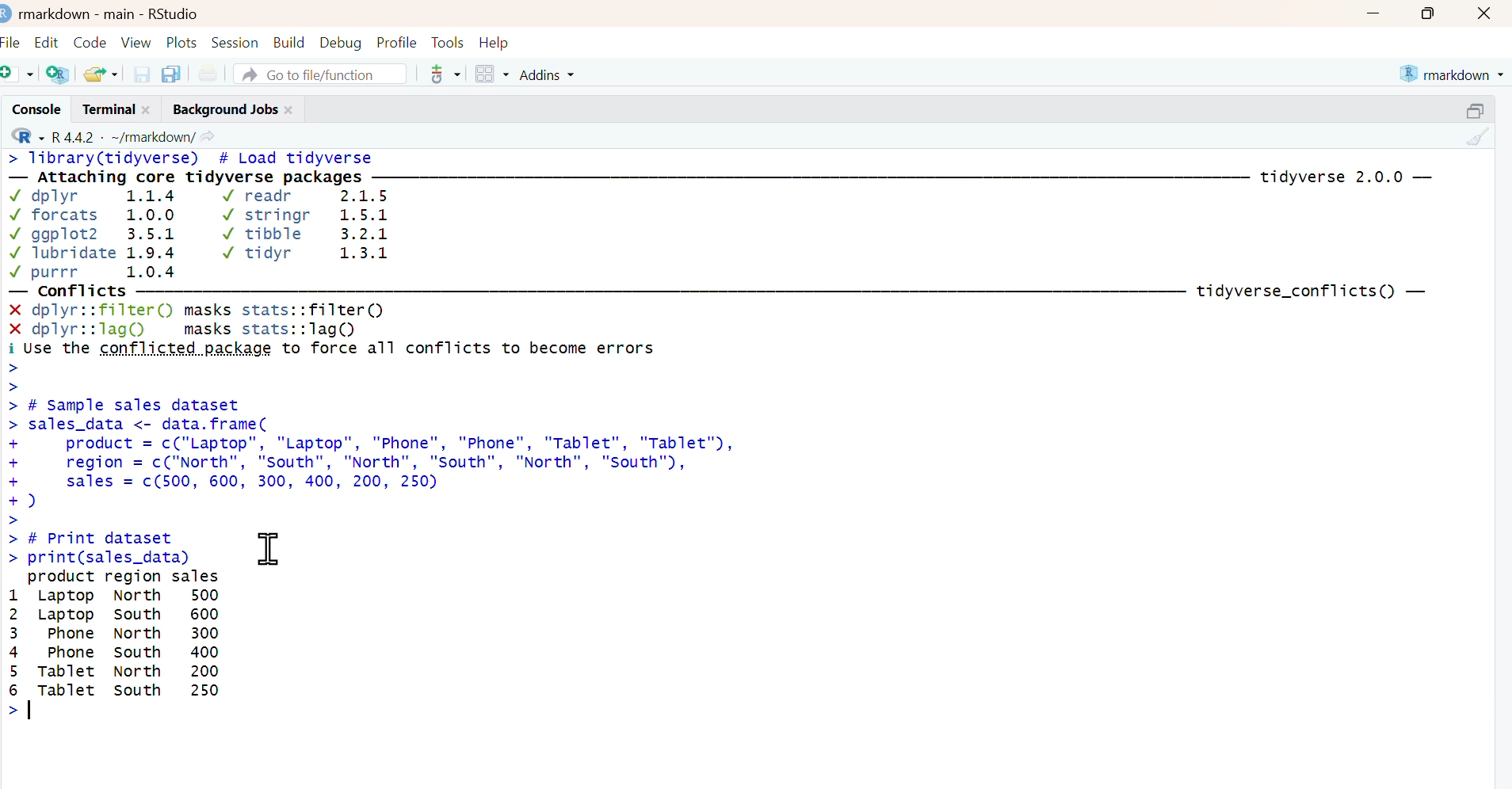 This screenshot has width=1512, height=789. I want to click on RStudio, so click(174, 12).